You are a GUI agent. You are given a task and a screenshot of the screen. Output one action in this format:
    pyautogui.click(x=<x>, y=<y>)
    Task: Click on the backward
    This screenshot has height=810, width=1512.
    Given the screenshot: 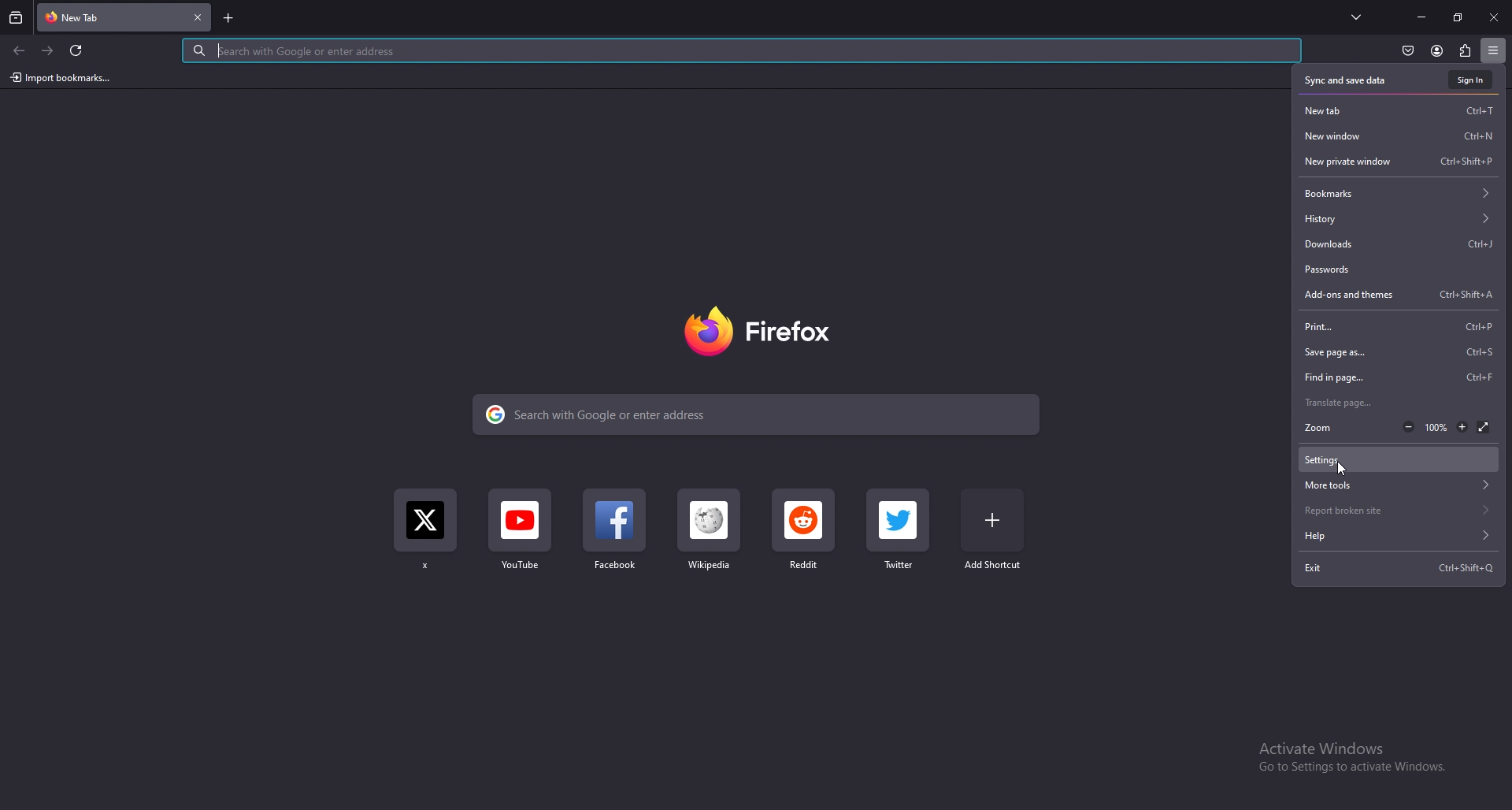 What is the action you would take?
    pyautogui.click(x=20, y=51)
    